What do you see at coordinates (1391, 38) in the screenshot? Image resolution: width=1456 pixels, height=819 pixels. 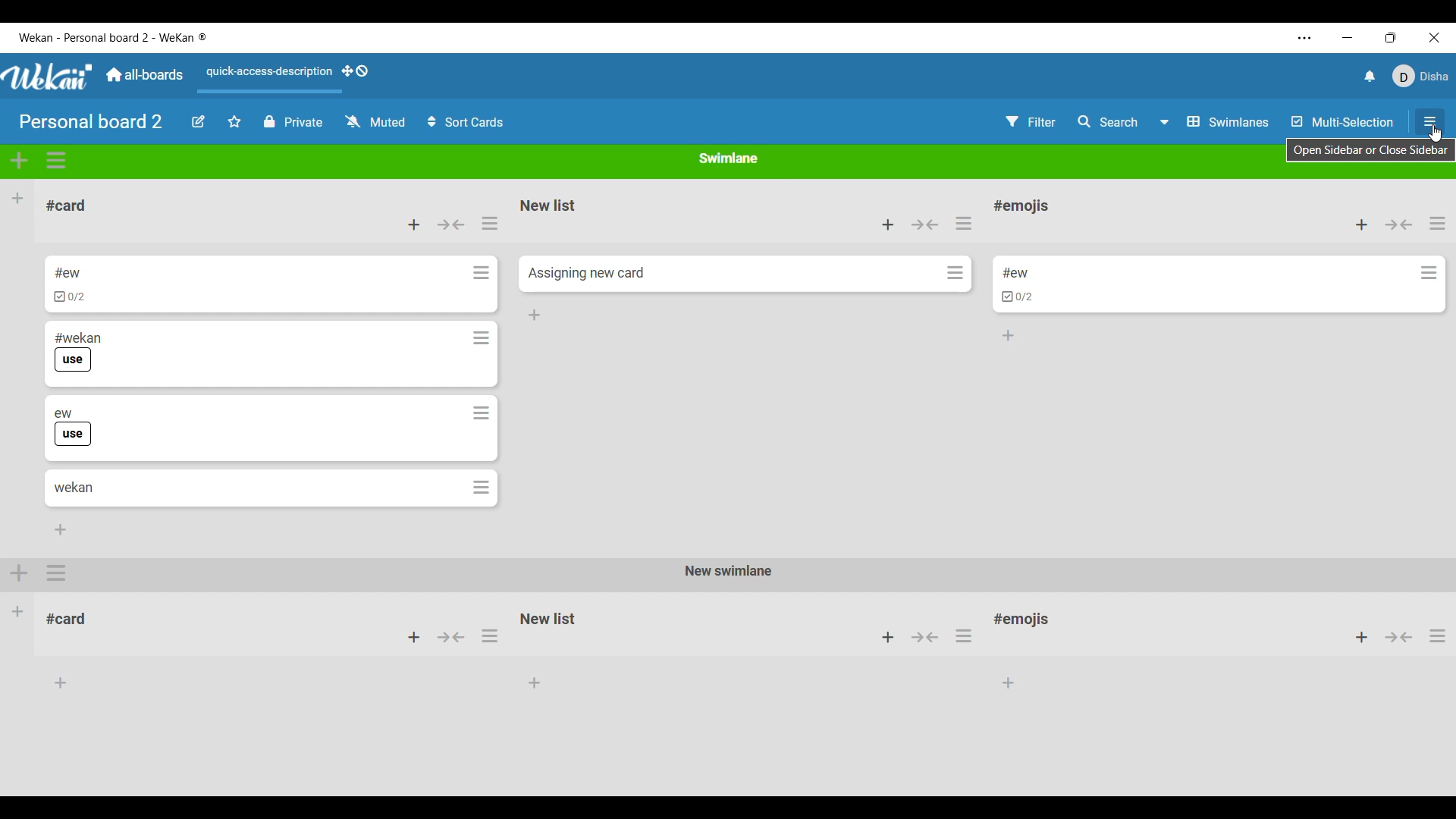 I see `Show interface in a smaller tab` at bounding box center [1391, 38].